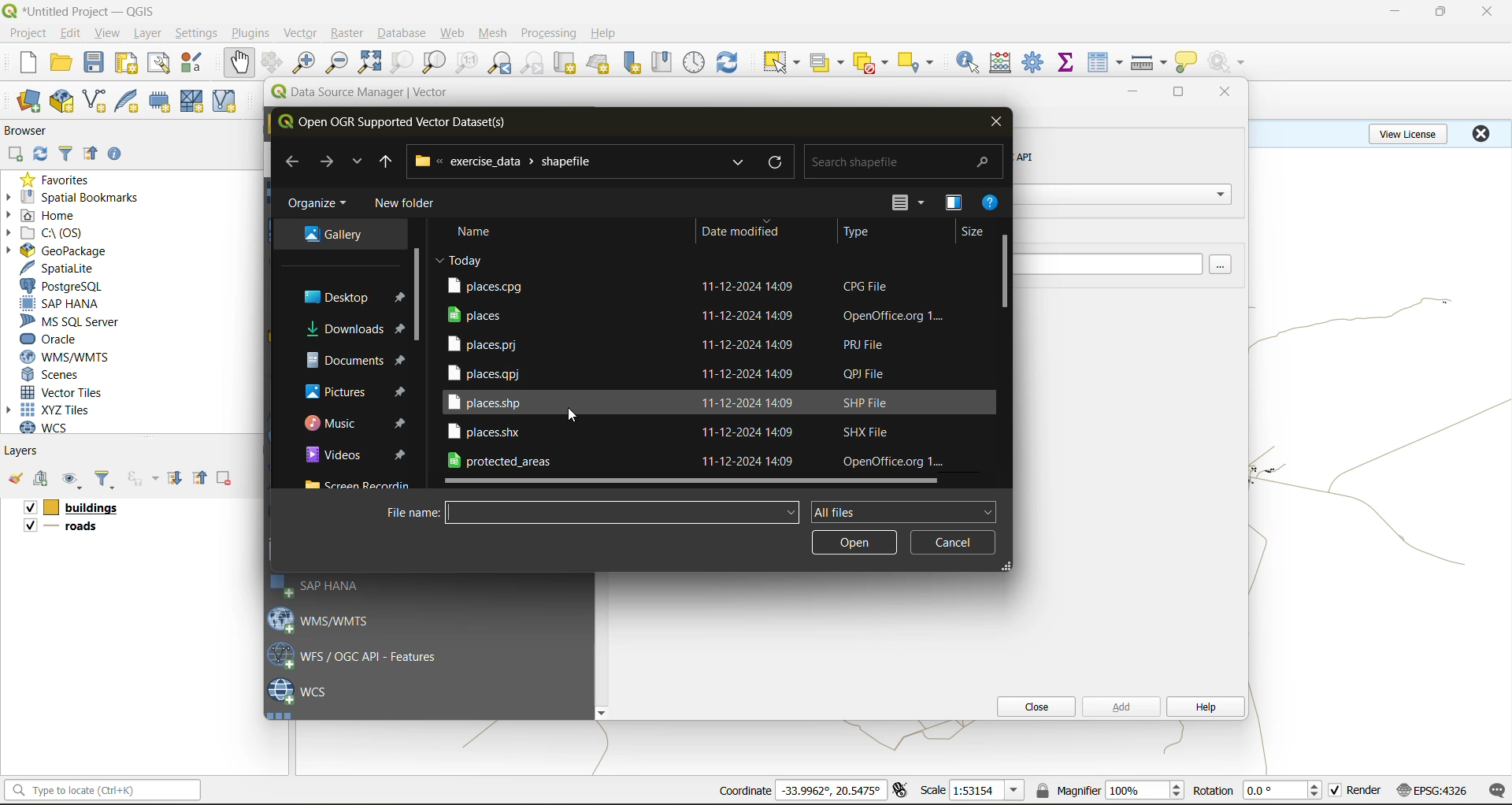 The image size is (1512, 805). Describe the element at coordinates (348, 32) in the screenshot. I see `raster` at that location.